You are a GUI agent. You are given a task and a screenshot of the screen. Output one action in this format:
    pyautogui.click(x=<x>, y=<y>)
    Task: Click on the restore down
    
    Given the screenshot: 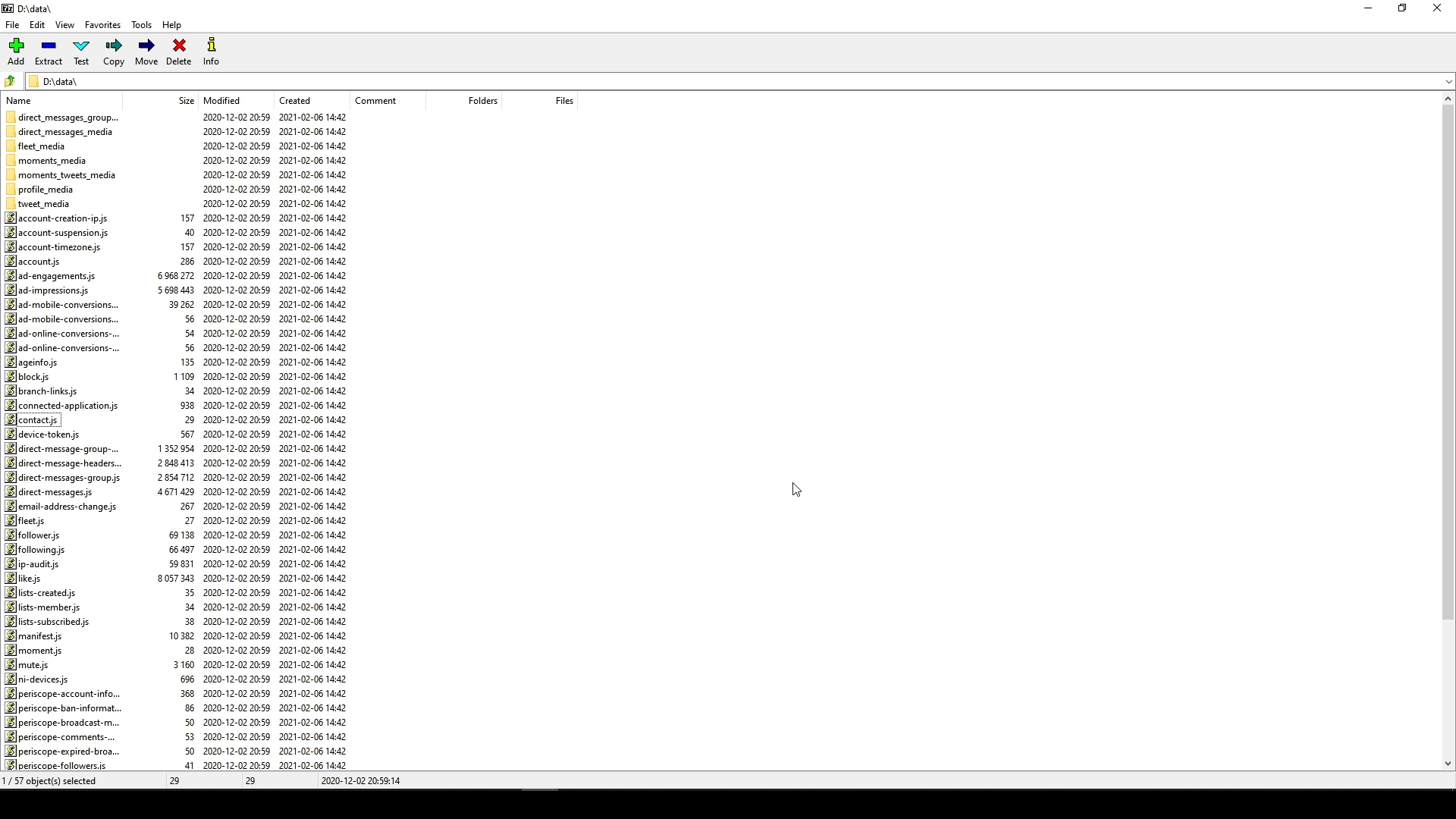 What is the action you would take?
    pyautogui.click(x=1407, y=9)
    